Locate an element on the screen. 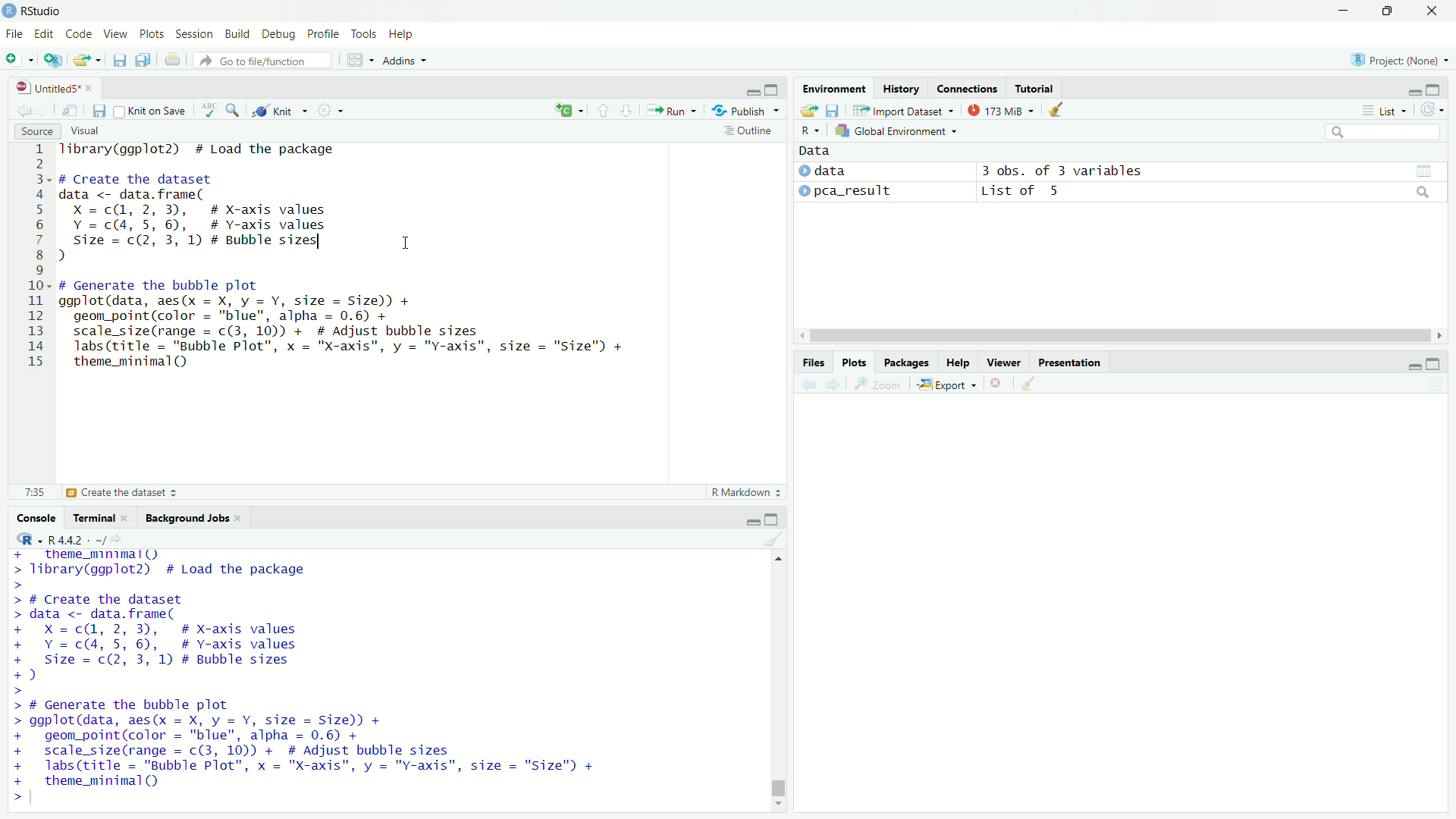 The image size is (1456, 819). plots is located at coordinates (856, 362).